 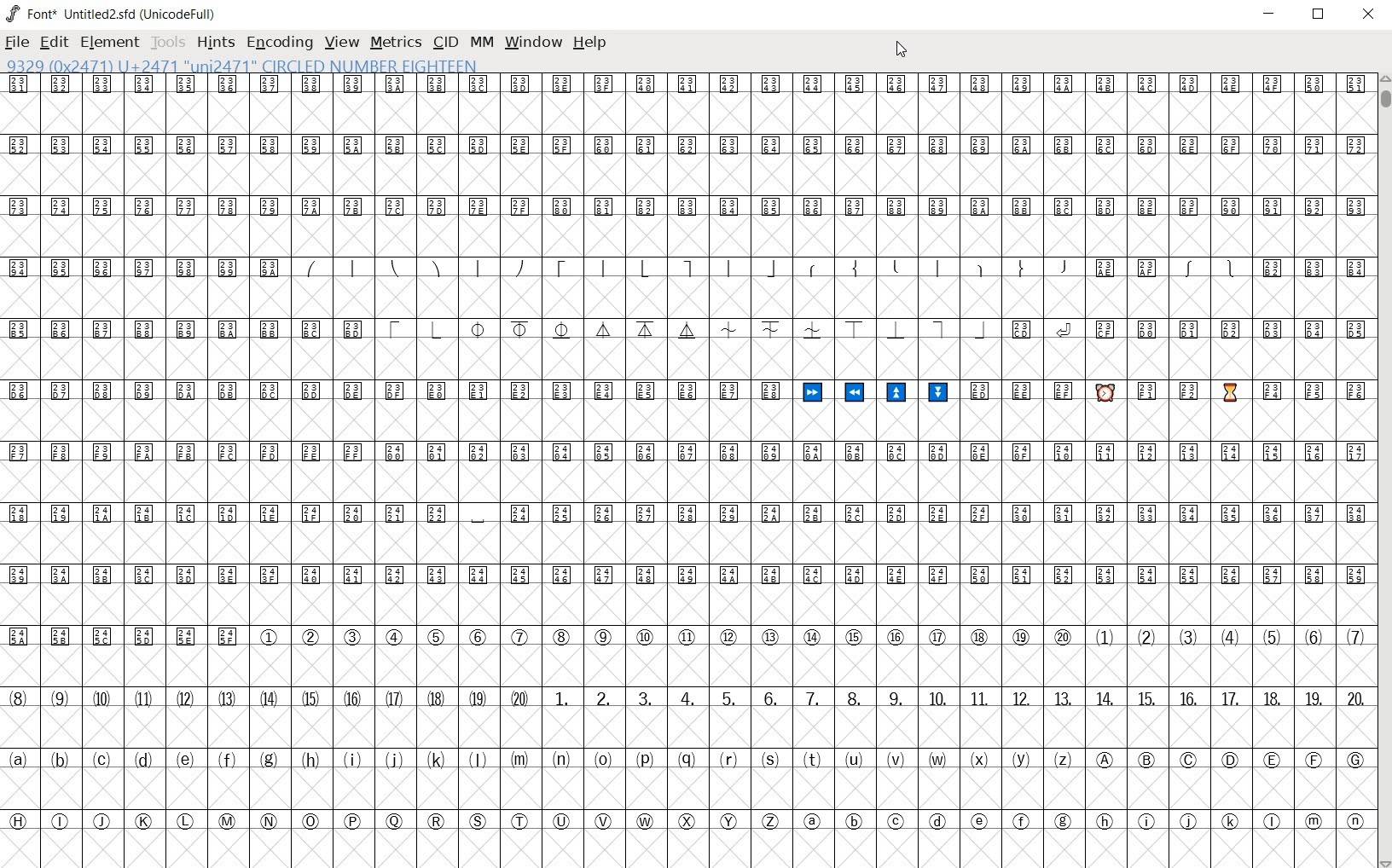 I want to click on encoding, so click(x=281, y=43).